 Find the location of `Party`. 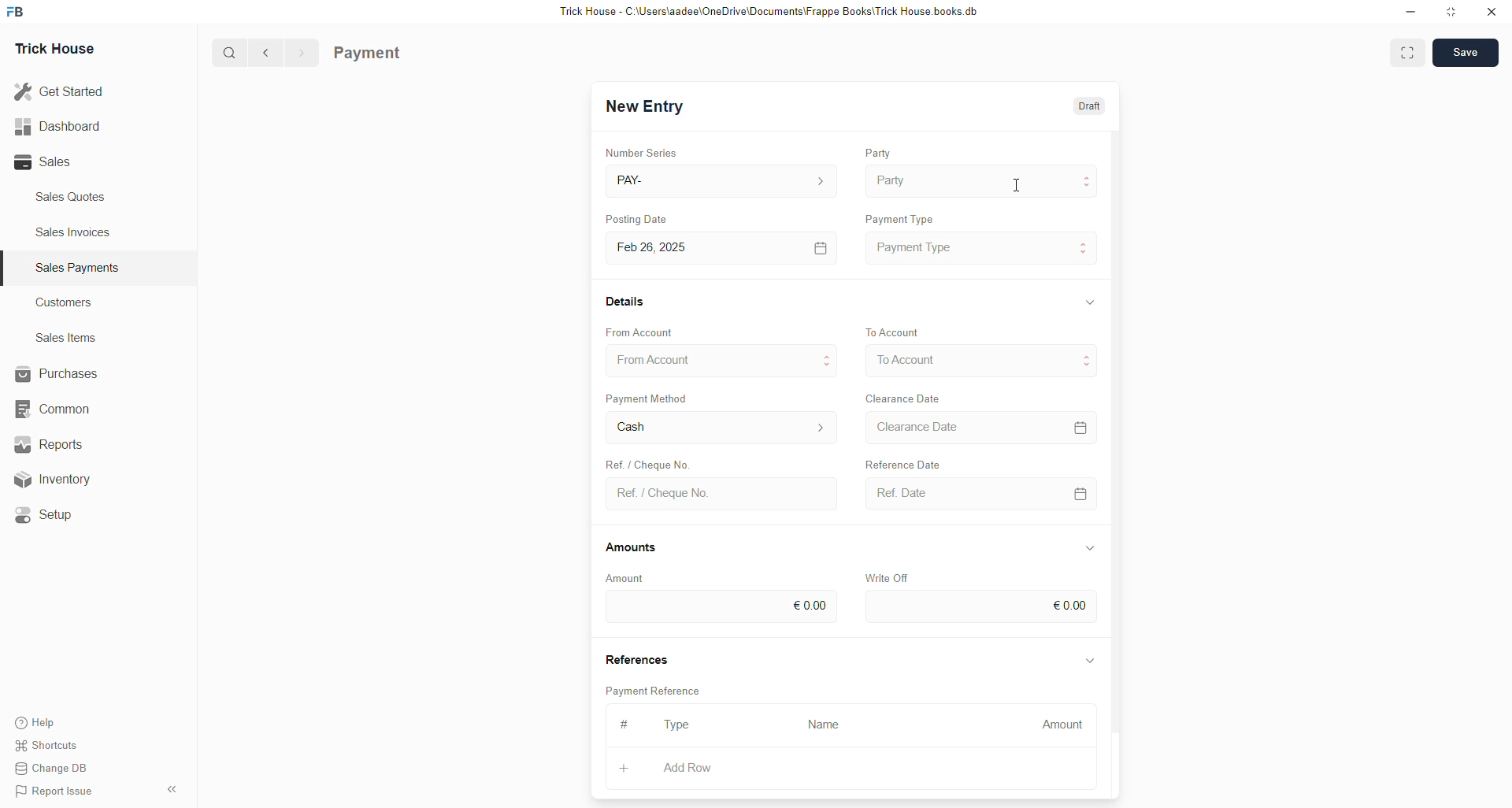

Party is located at coordinates (878, 152).